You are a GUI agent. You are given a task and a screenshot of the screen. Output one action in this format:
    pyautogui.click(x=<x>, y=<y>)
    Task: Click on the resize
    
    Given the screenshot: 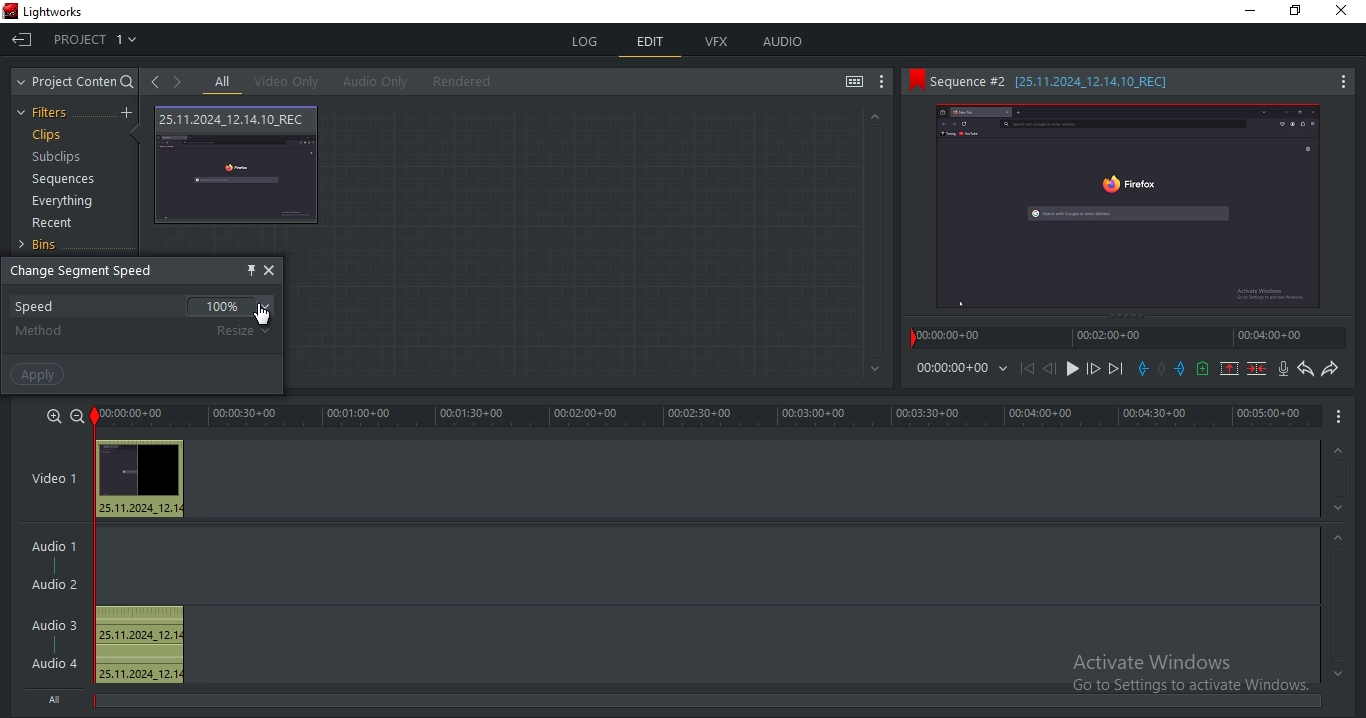 What is the action you would take?
    pyautogui.click(x=246, y=330)
    